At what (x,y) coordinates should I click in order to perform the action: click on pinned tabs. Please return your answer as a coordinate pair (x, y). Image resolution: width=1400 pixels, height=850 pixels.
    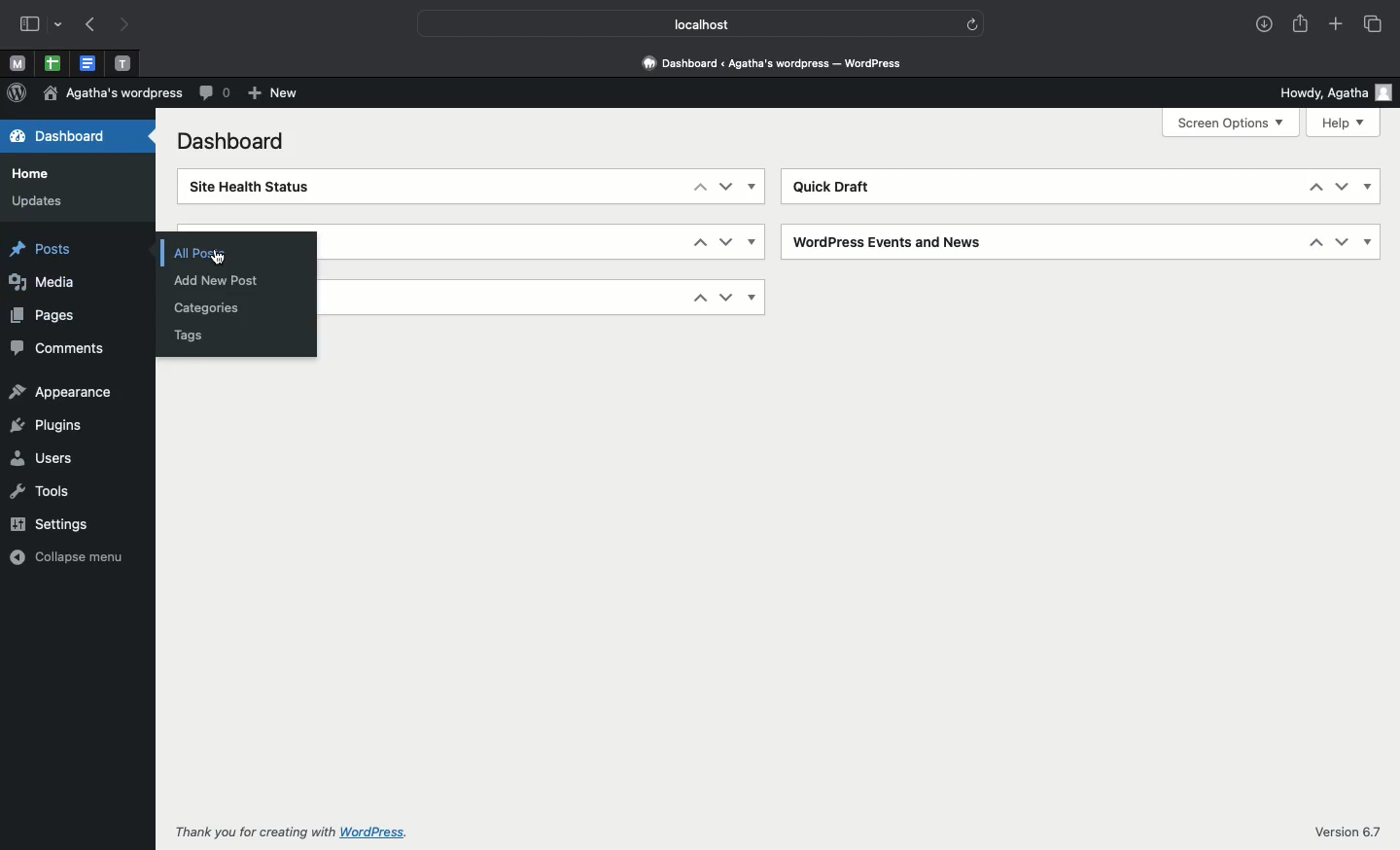
    Looking at the image, I should click on (126, 64).